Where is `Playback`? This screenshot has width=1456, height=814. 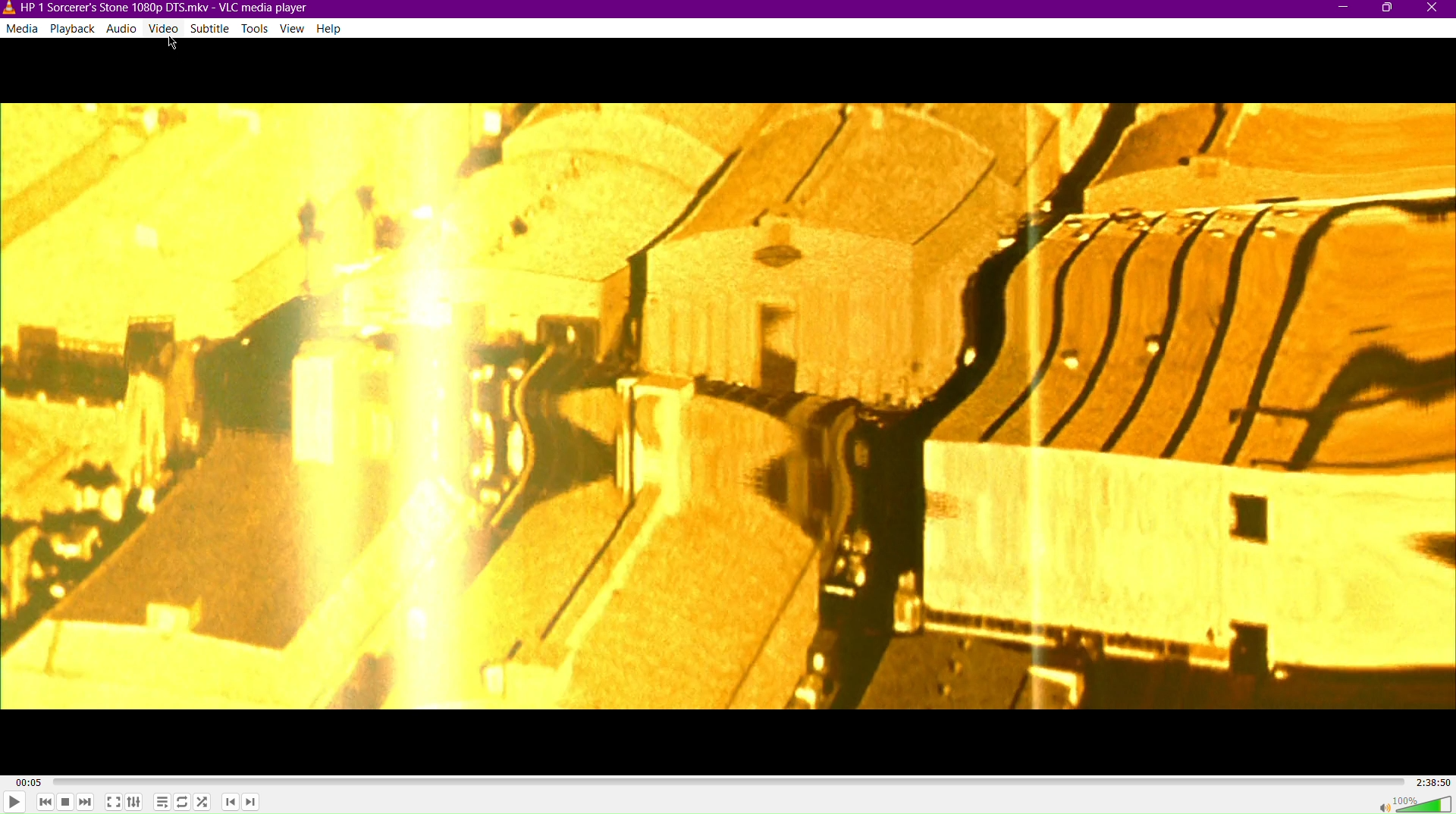
Playback is located at coordinates (76, 30).